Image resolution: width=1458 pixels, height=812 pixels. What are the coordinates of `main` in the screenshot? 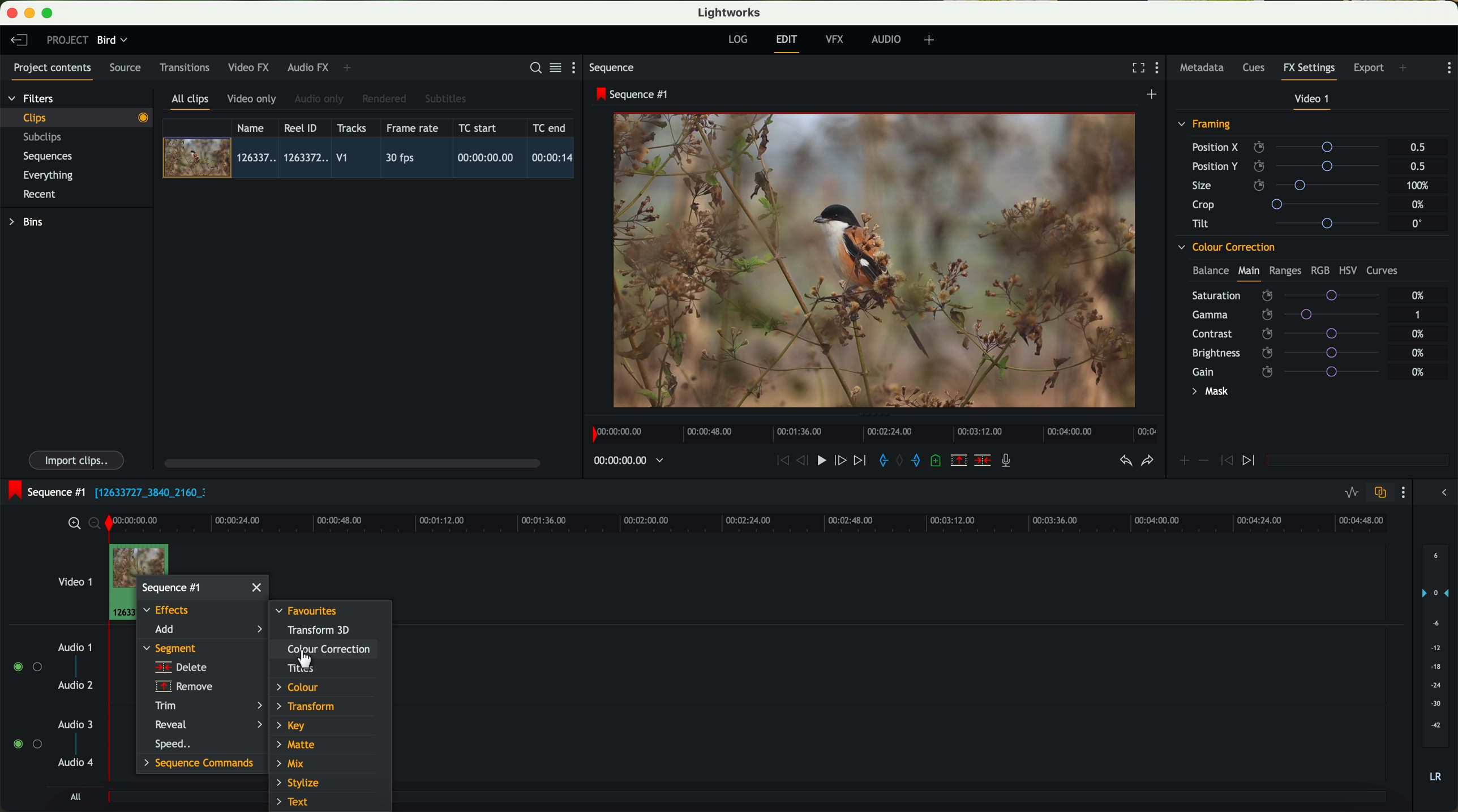 It's located at (1249, 273).